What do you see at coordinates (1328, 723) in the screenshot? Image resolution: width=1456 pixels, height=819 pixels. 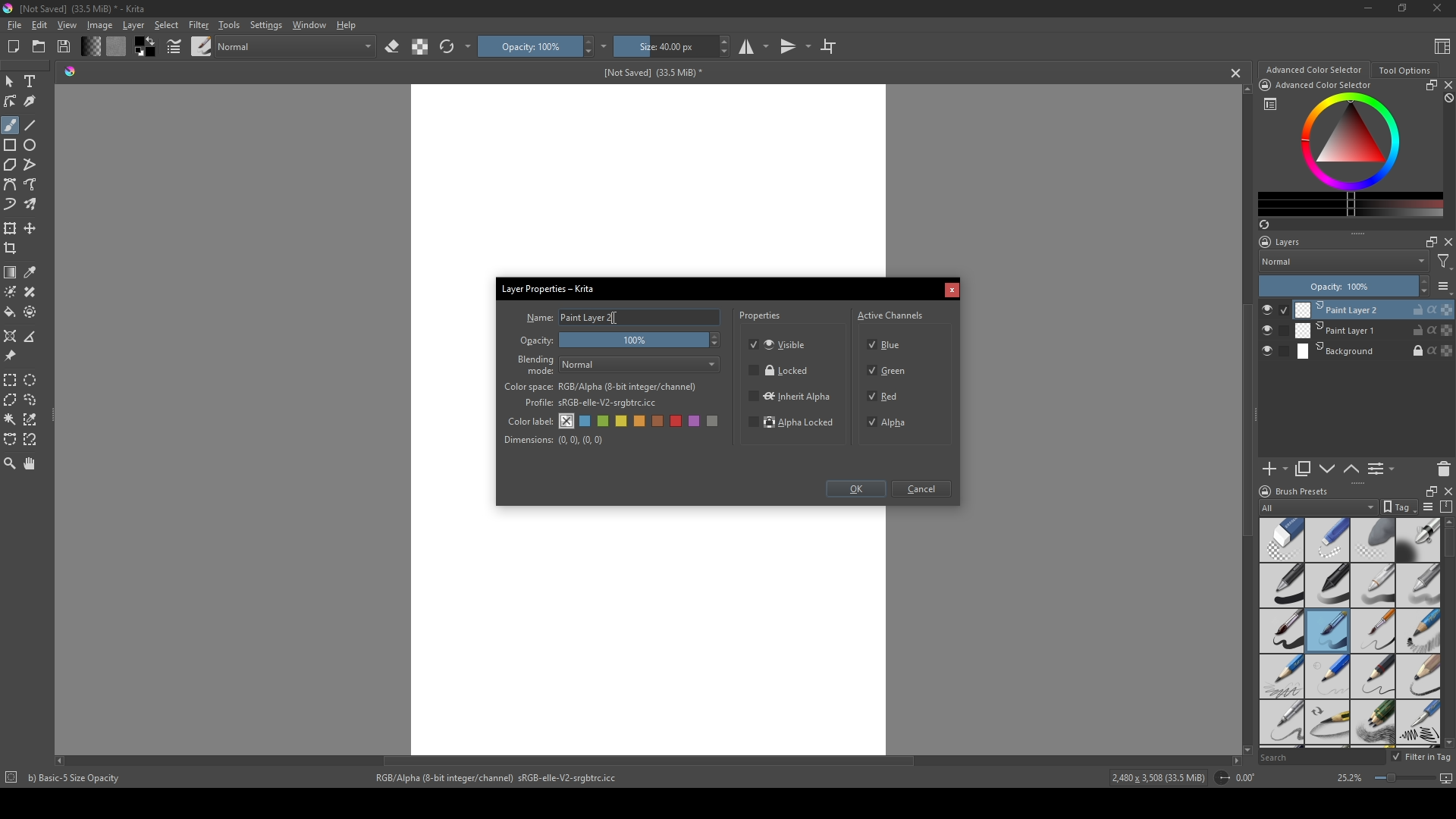 I see `pencil` at bounding box center [1328, 723].